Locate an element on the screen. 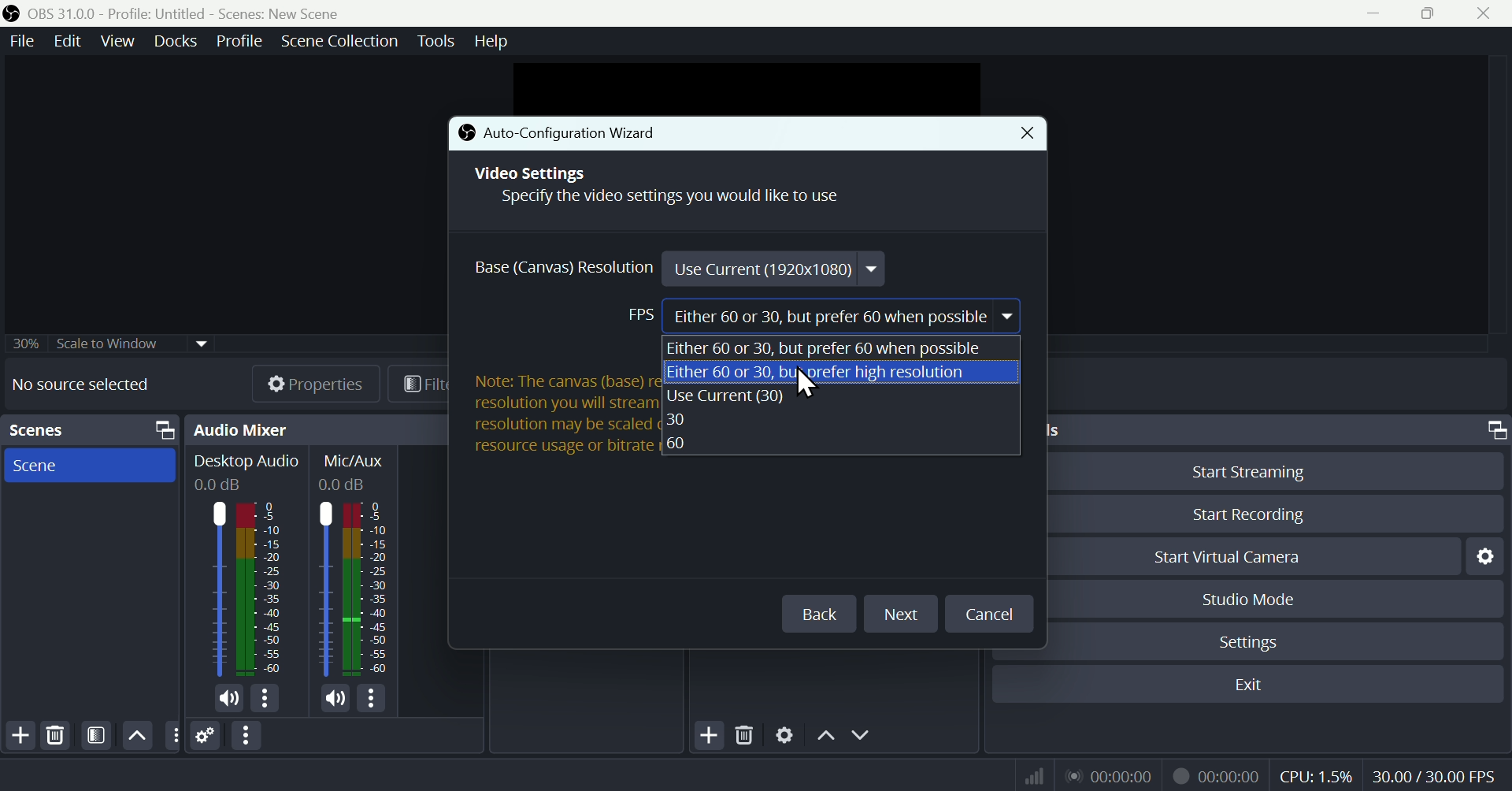 This screenshot has width=1512, height=791. Settings is located at coordinates (206, 735).